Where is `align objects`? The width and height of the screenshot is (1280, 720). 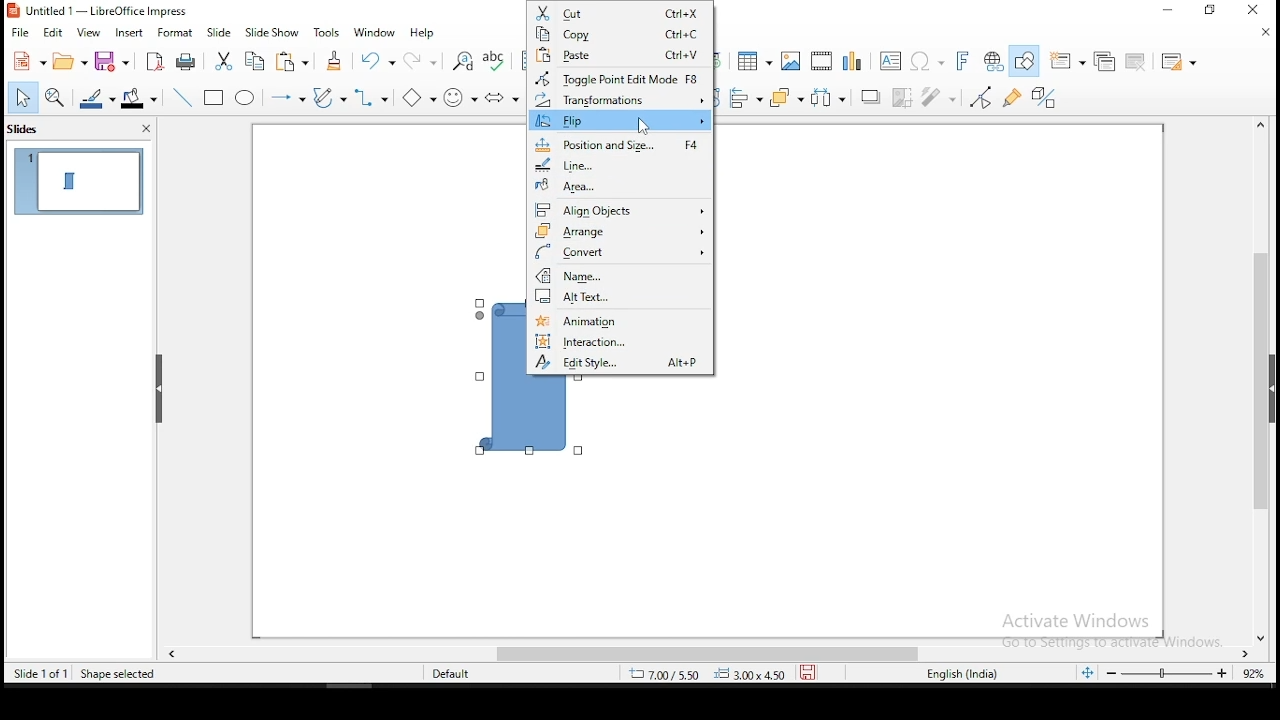
align objects is located at coordinates (616, 212).